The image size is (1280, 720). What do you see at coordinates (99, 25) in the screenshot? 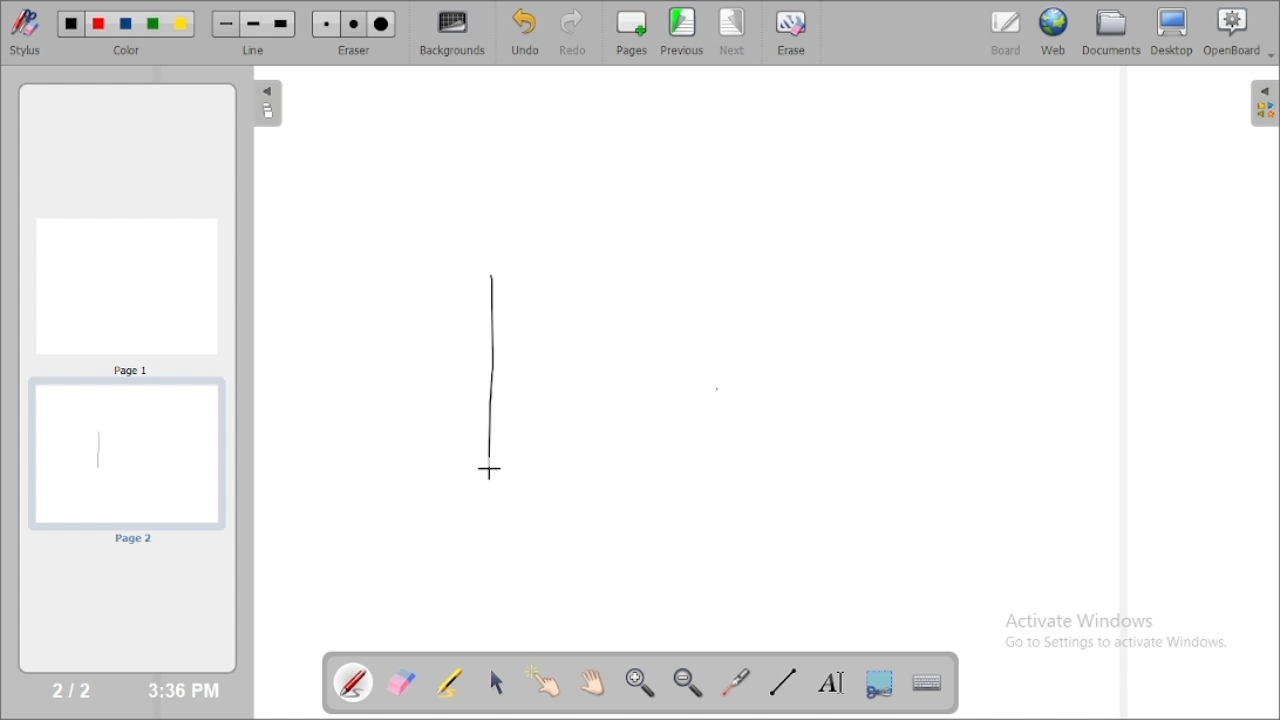
I see `Color 2` at bounding box center [99, 25].